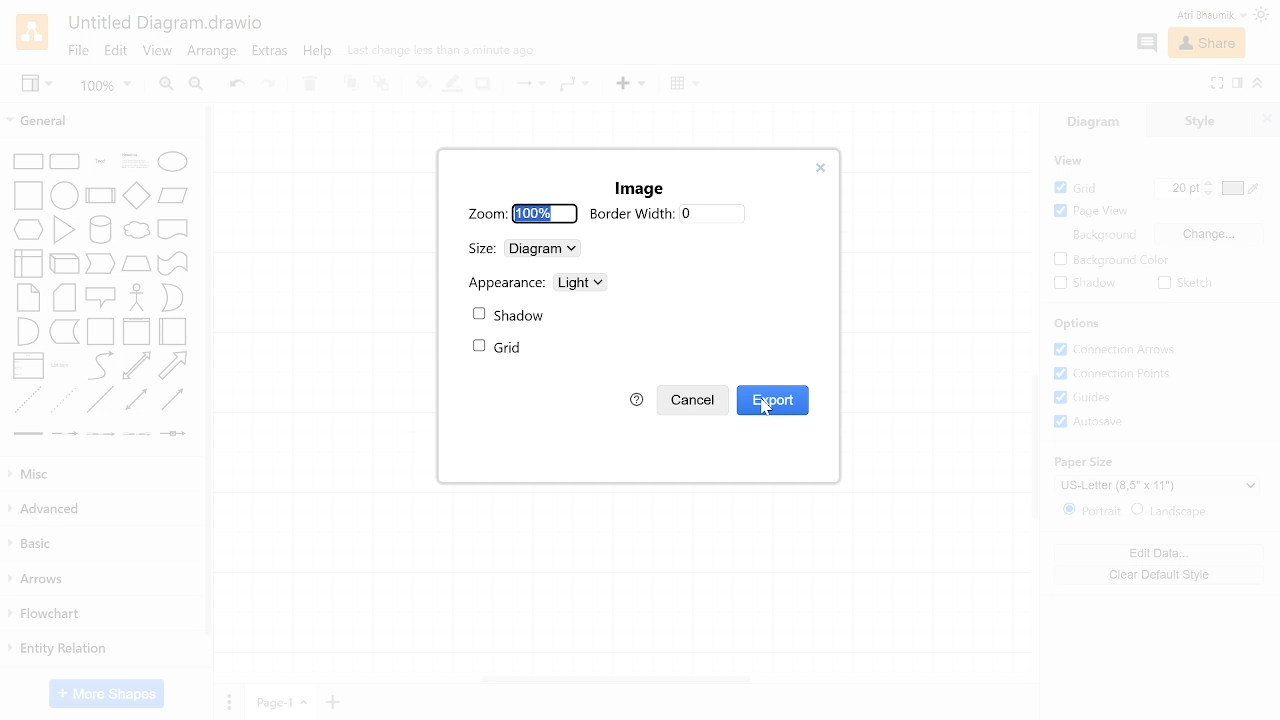 The width and height of the screenshot is (1280, 720). Describe the element at coordinates (236, 86) in the screenshot. I see `Undo` at that location.